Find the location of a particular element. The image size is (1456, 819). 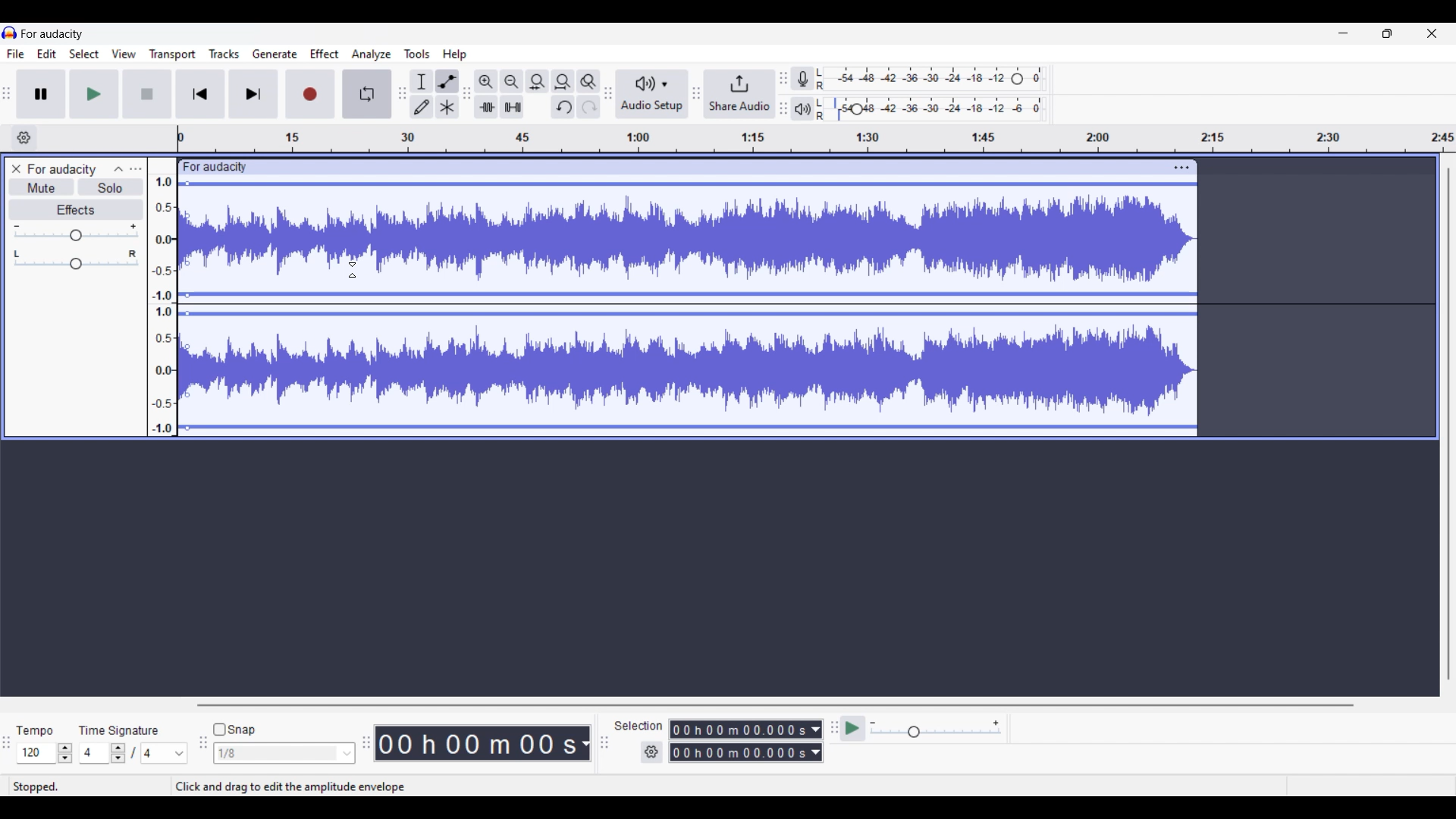

Collapse is located at coordinates (119, 169).